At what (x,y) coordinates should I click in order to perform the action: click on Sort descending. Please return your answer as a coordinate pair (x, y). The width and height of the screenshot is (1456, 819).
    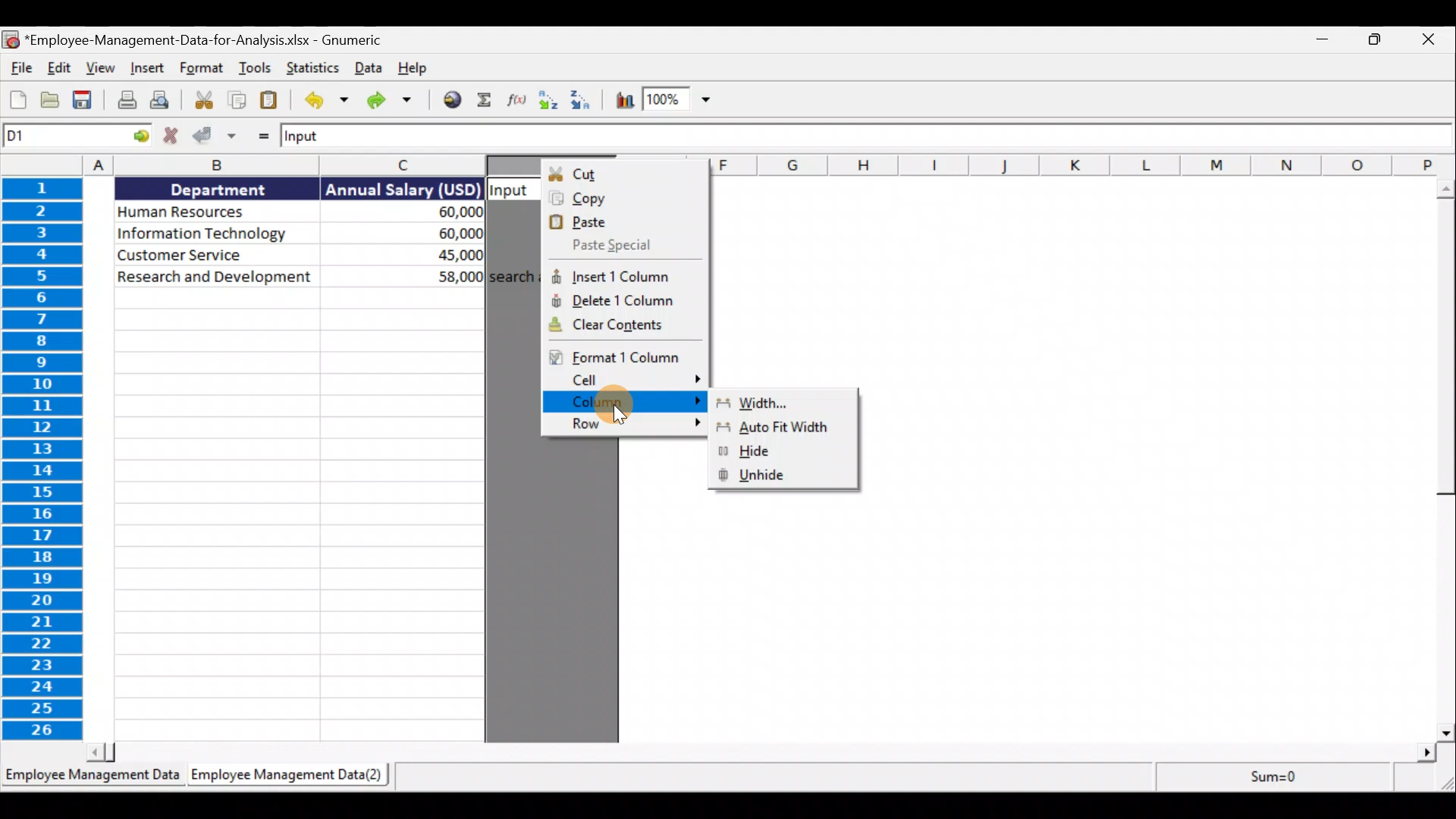
    Looking at the image, I should click on (583, 102).